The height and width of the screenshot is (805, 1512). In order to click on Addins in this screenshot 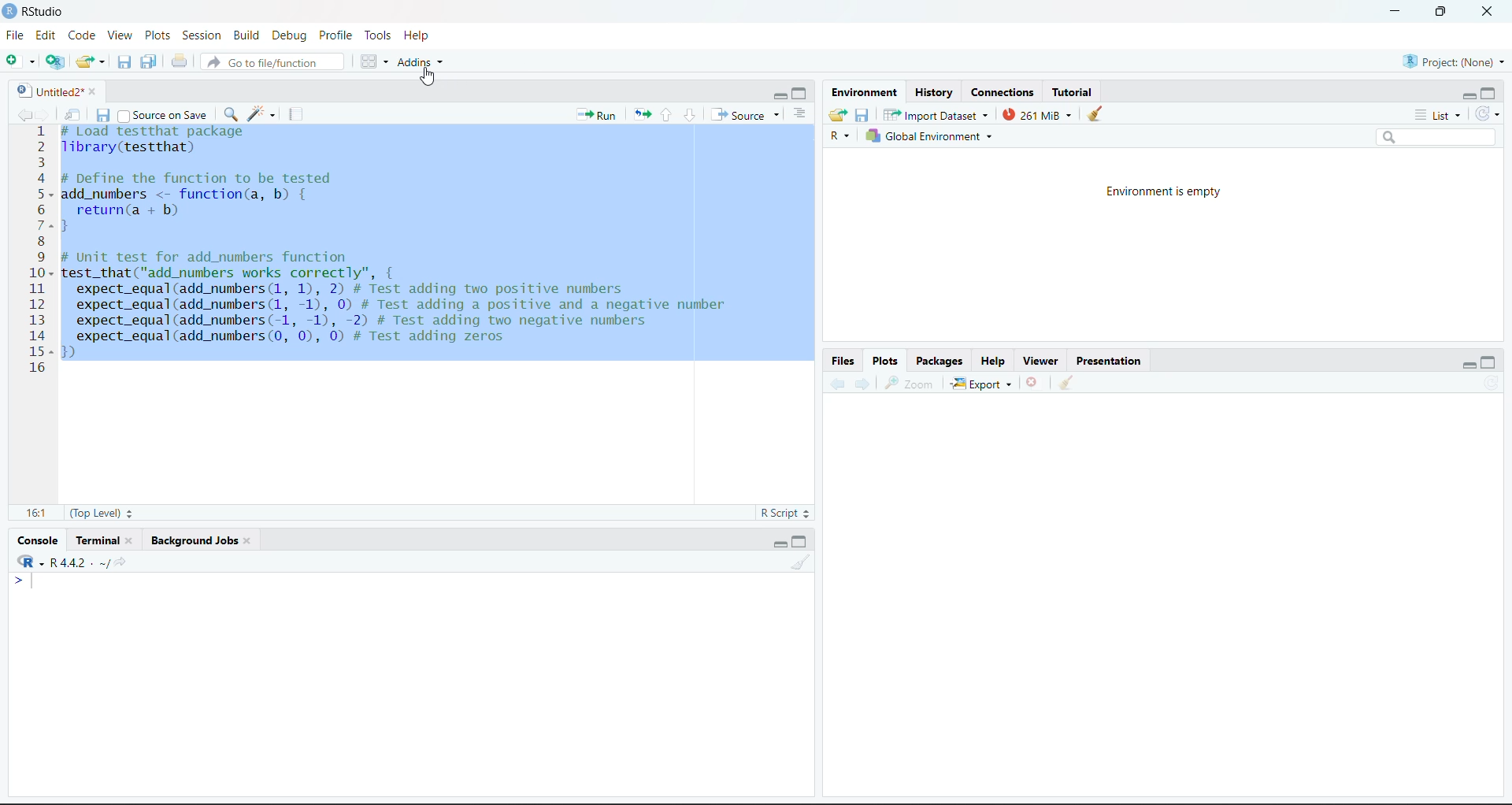, I will do `click(421, 61)`.